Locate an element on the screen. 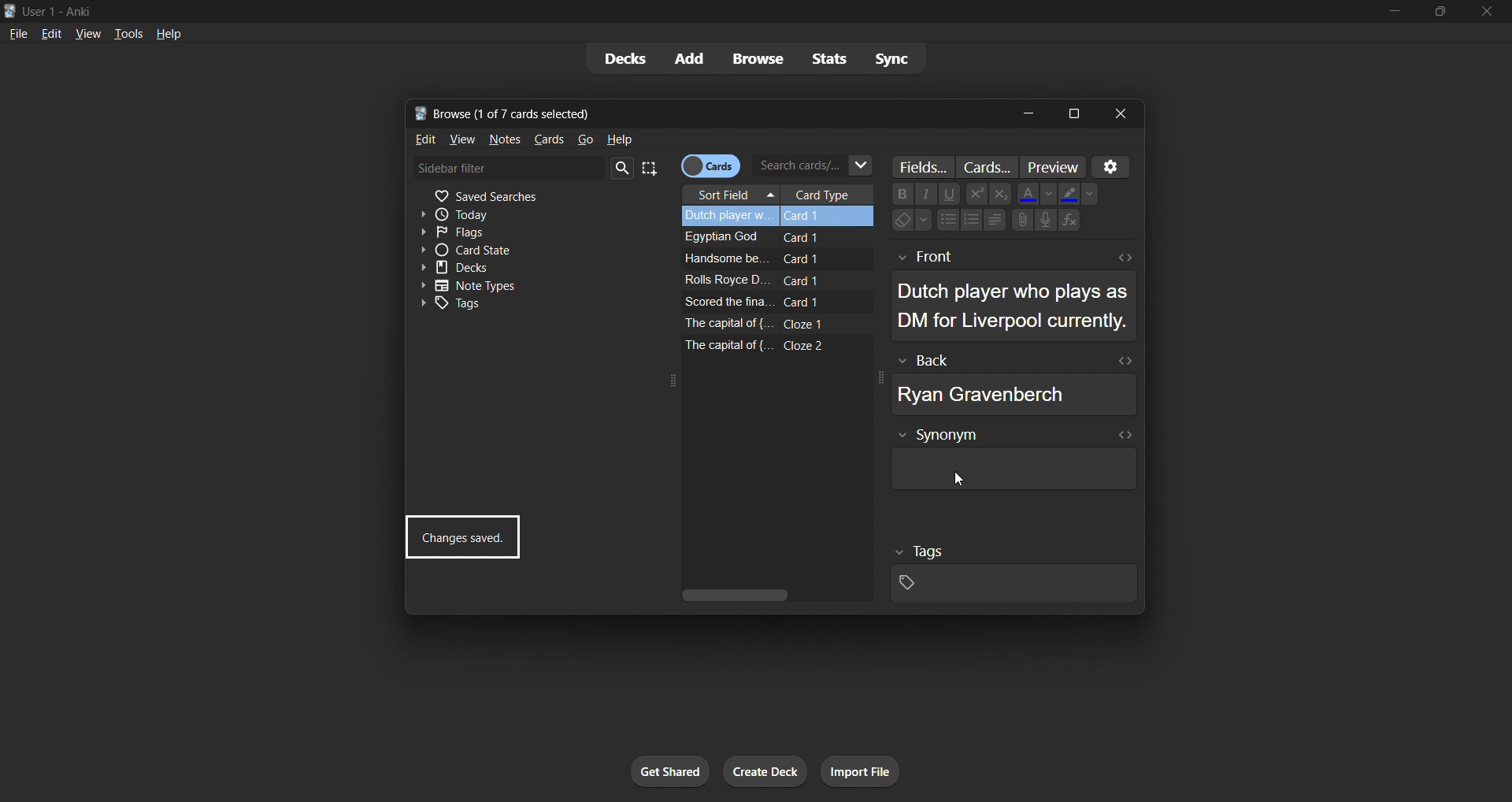  customize card templates is located at coordinates (989, 167).